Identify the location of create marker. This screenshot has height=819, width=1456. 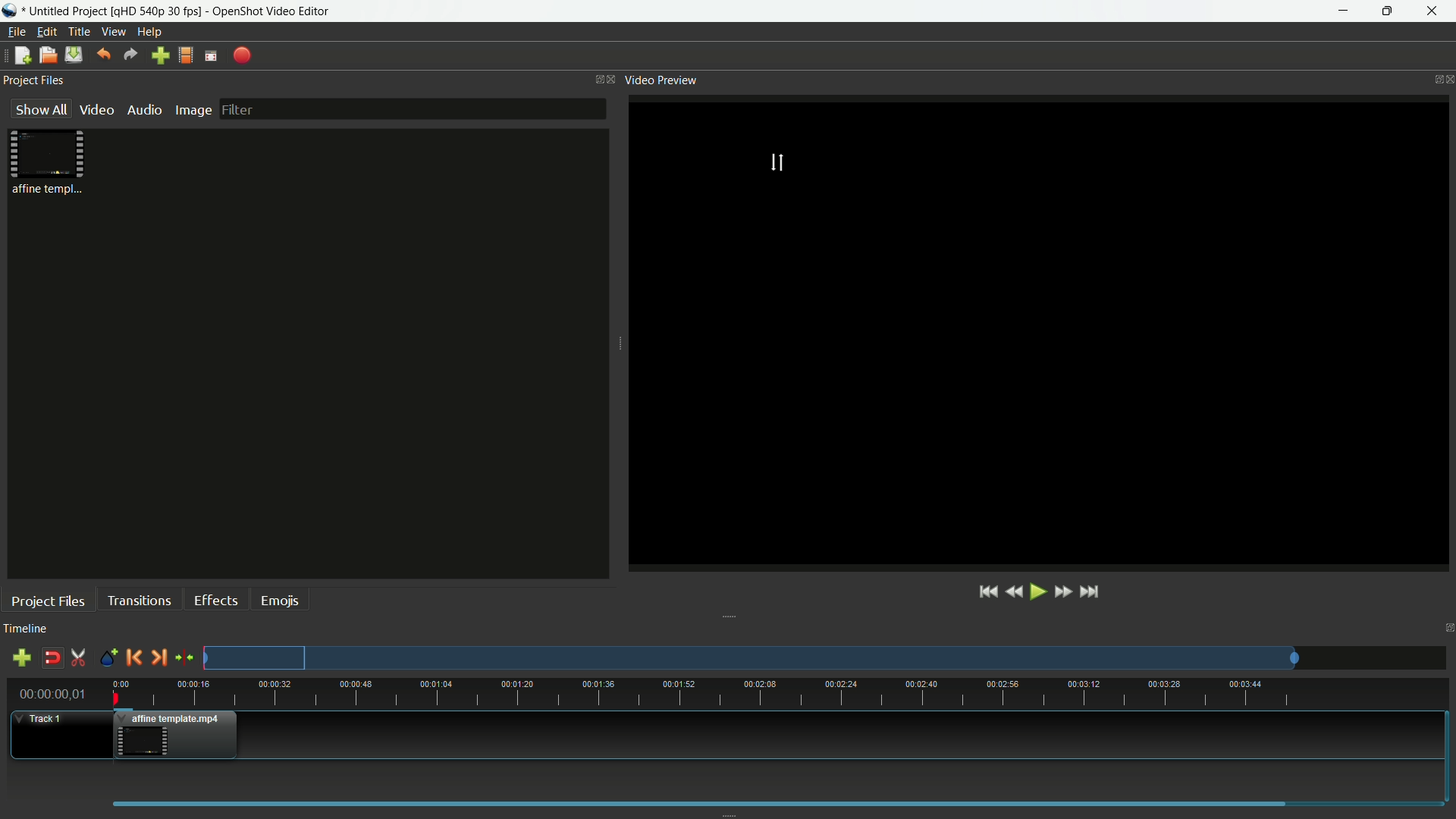
(106, 658).